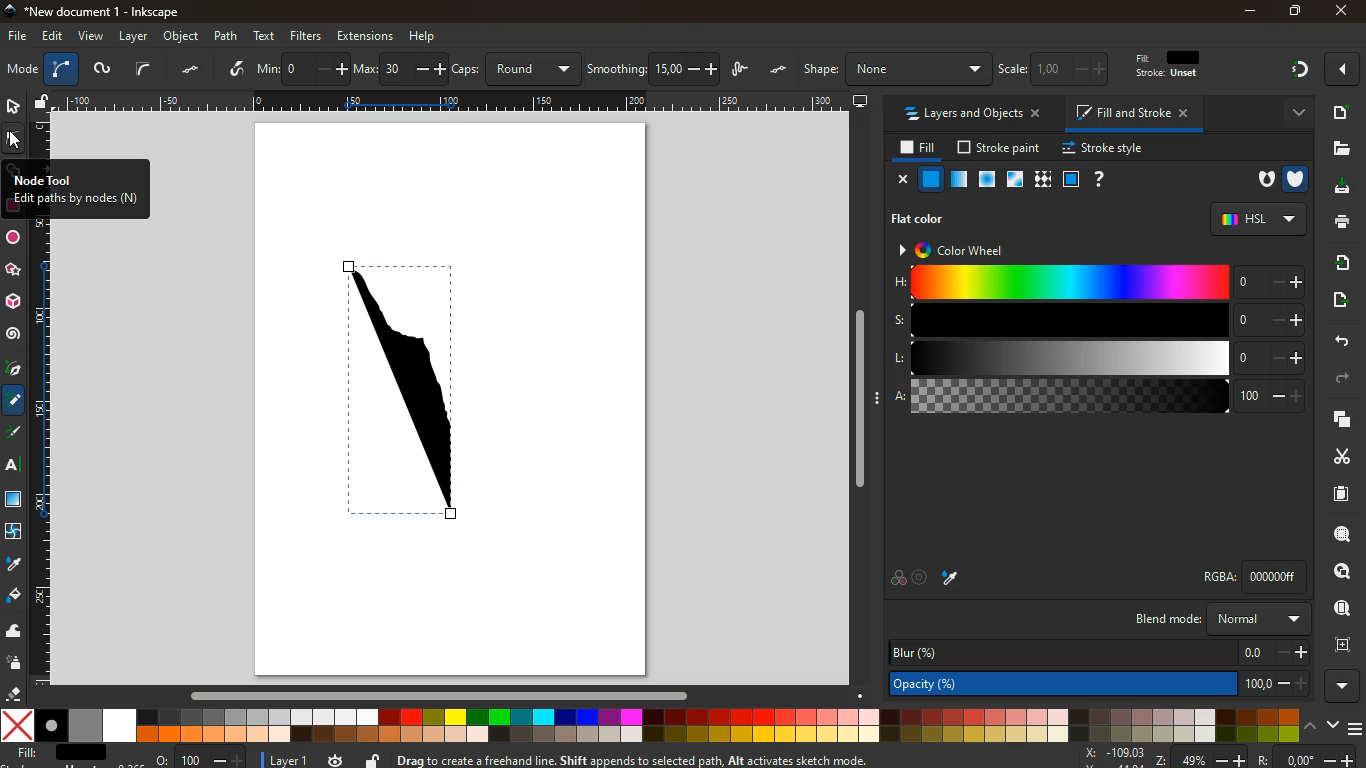 Image resolution: width=1366 pixels, height=768 pixels. What do you see at coordinates (1341, 223) in the screenshot?
I see `print` at bounding box center [1341, 223].